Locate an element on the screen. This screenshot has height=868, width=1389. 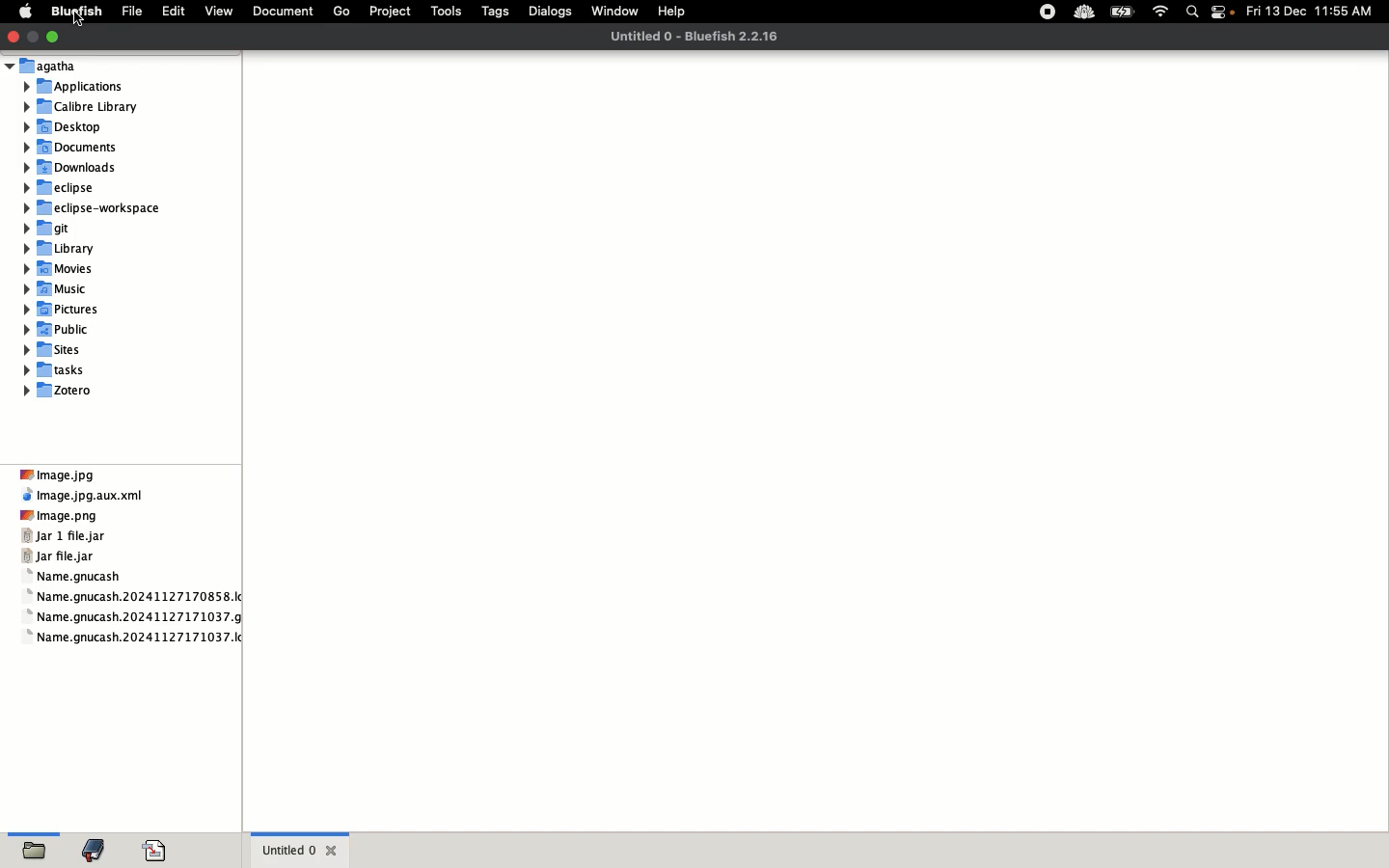
documents is located at coordinates (281, 14).